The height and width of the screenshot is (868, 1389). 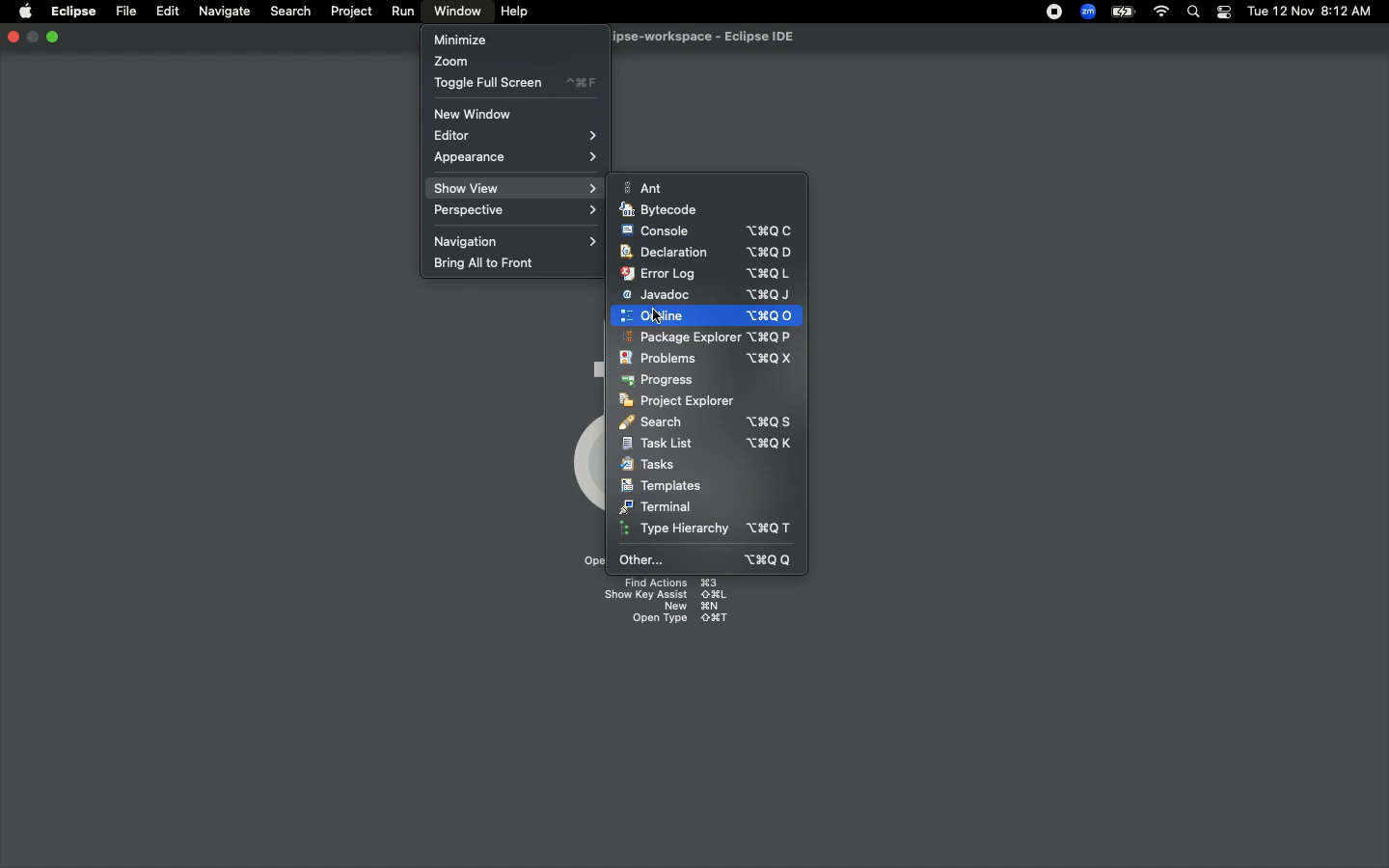 What do you see at coordinates (454, 12) in the screenshot?
I see `Window` at bounding box center [454, 12].